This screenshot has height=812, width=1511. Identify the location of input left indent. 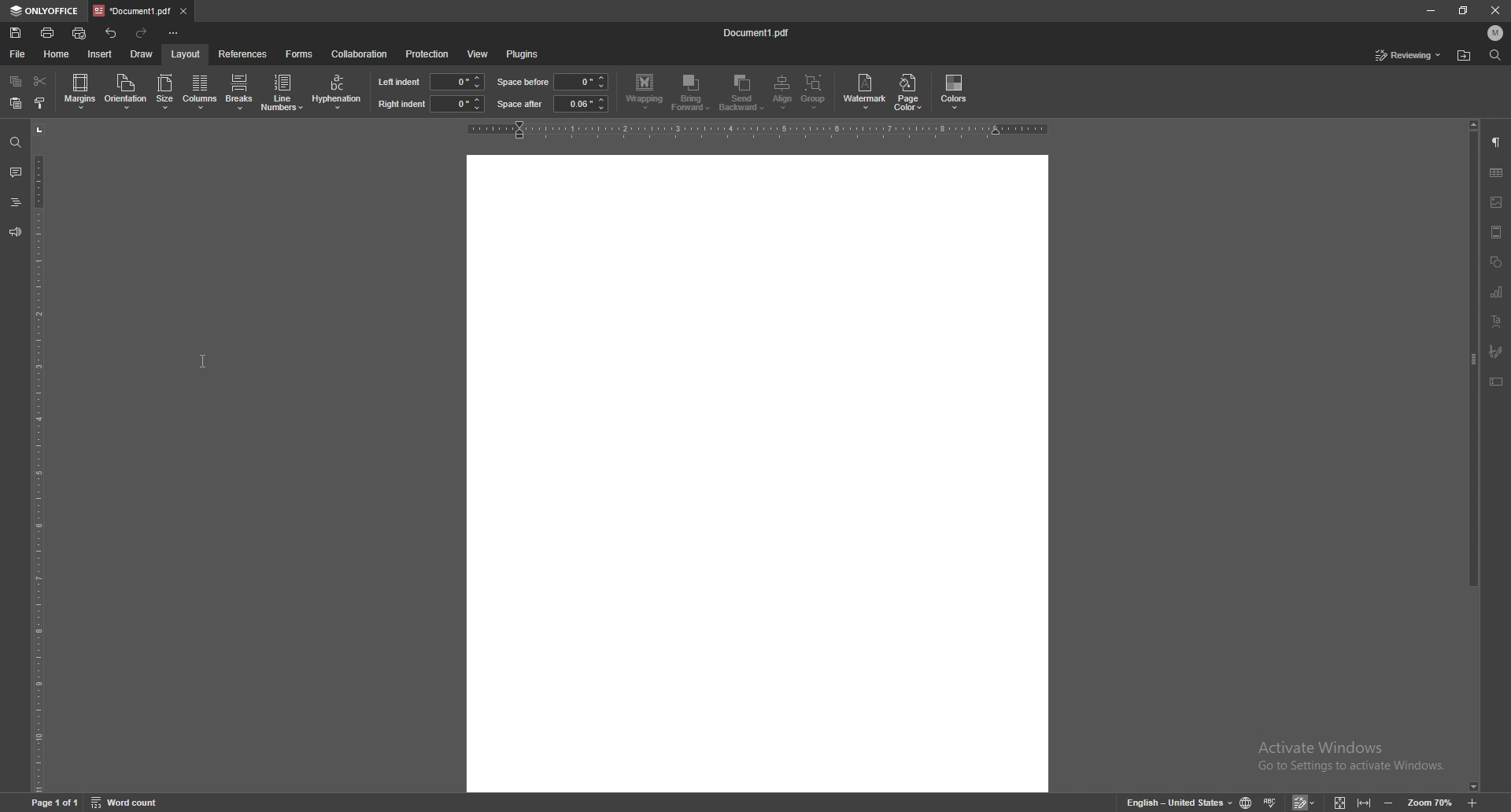
(457, 81).